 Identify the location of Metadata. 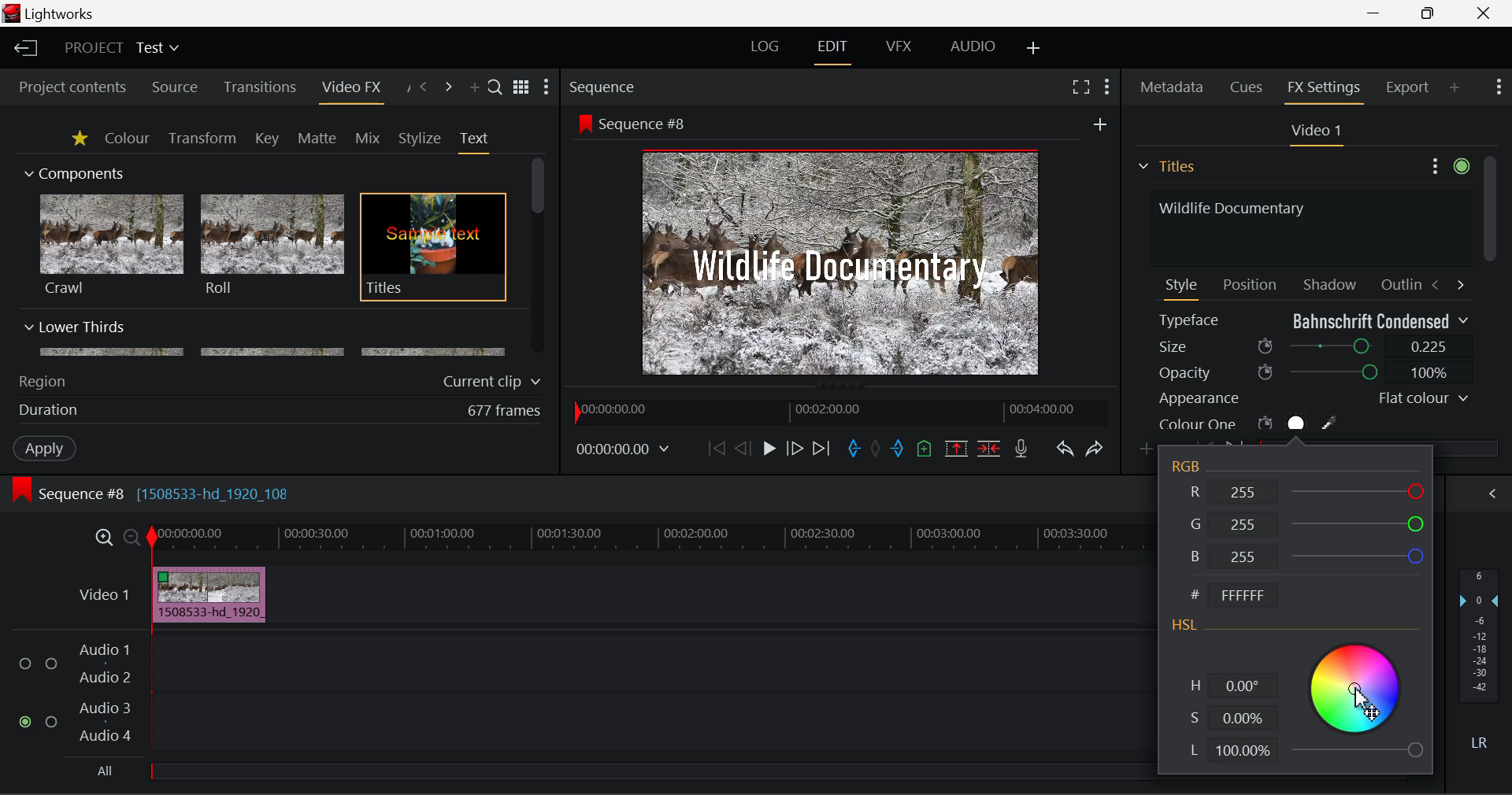
(1173, 89).